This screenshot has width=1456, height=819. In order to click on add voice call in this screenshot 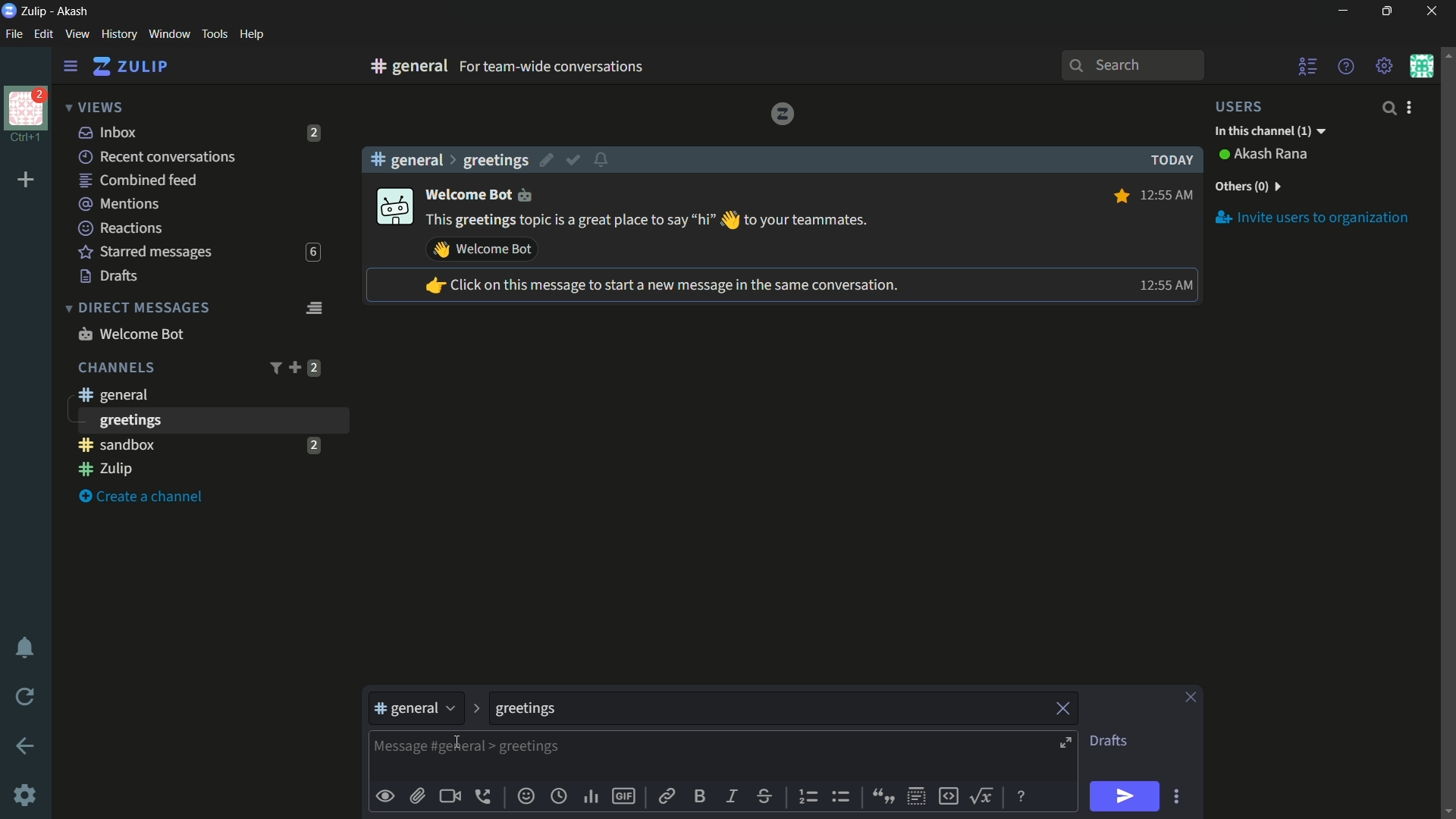, I will do `click(486, 796)`.